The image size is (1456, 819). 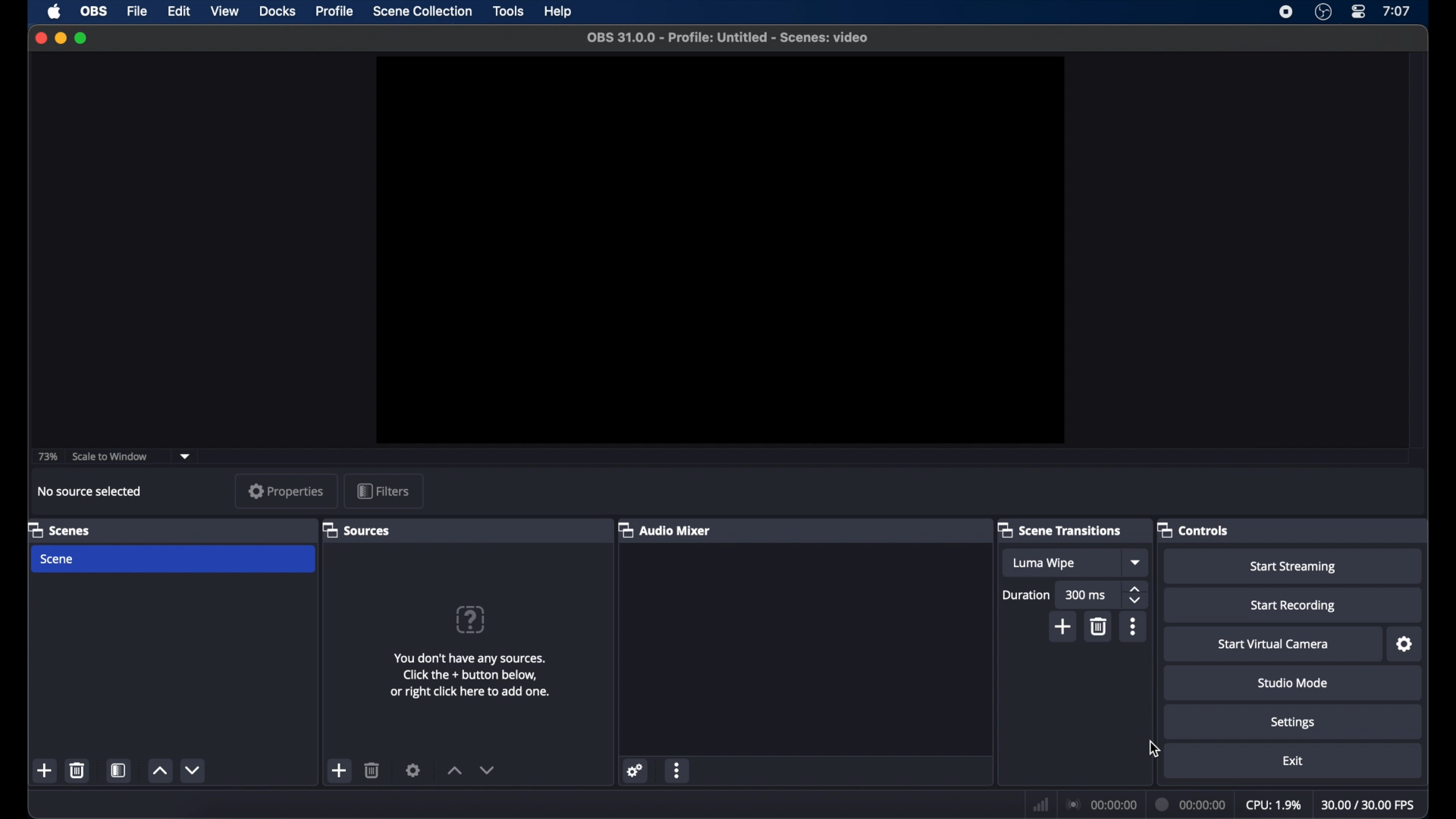 I want to click on controls, so click(x=1195, y=531).